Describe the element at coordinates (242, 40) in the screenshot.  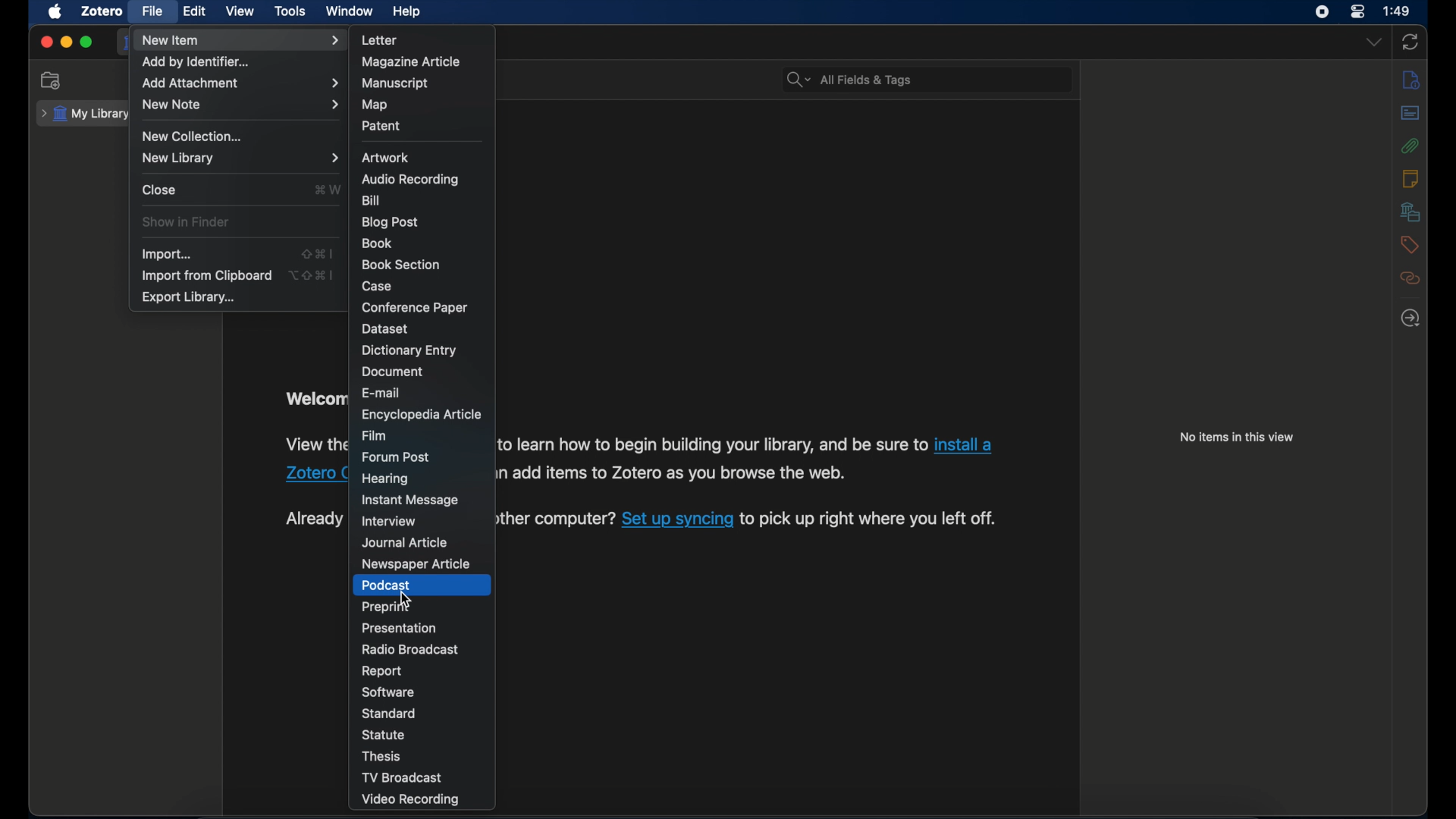
I see `new item` at that location.